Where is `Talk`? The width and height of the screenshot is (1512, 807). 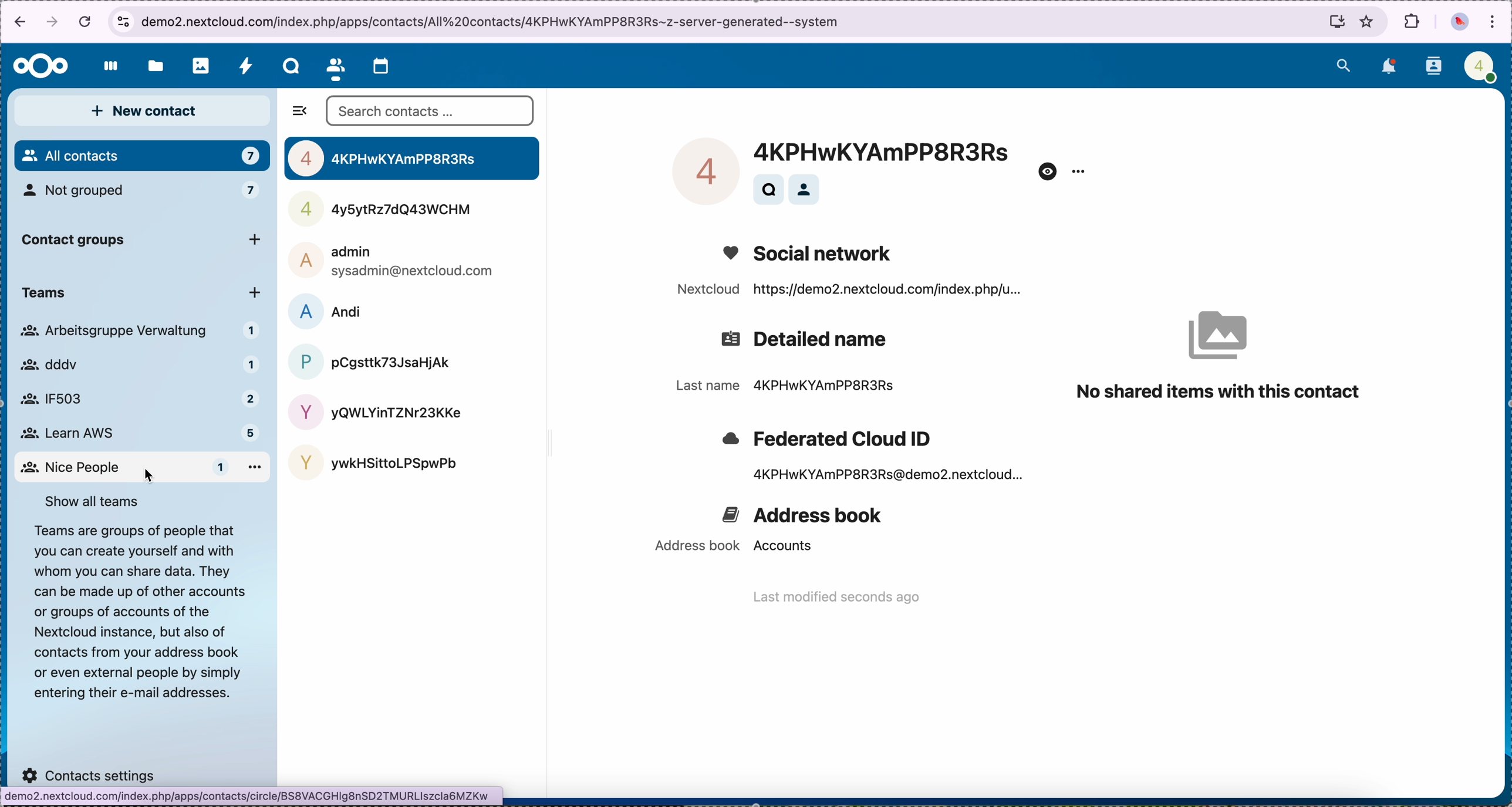
Talk is located at coordinates (288, 66).